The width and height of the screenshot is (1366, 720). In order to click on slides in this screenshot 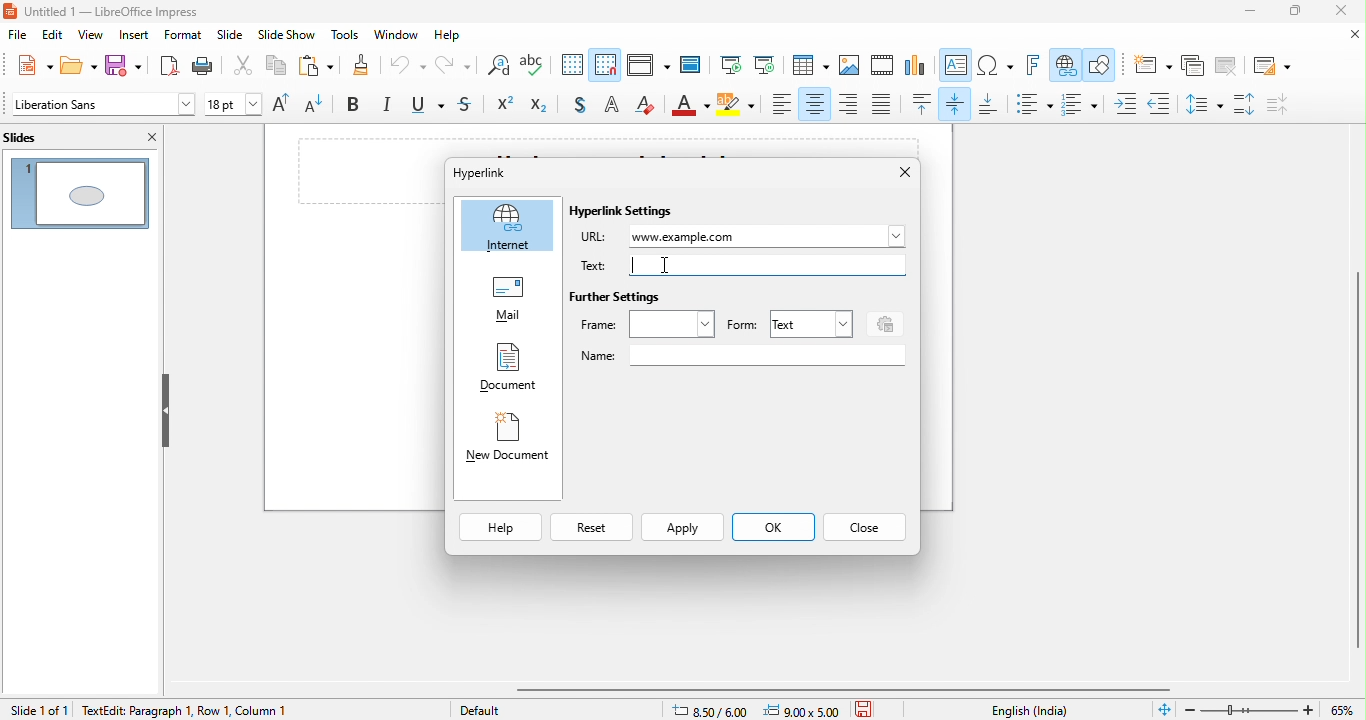, I will do `click(38, 136)`.